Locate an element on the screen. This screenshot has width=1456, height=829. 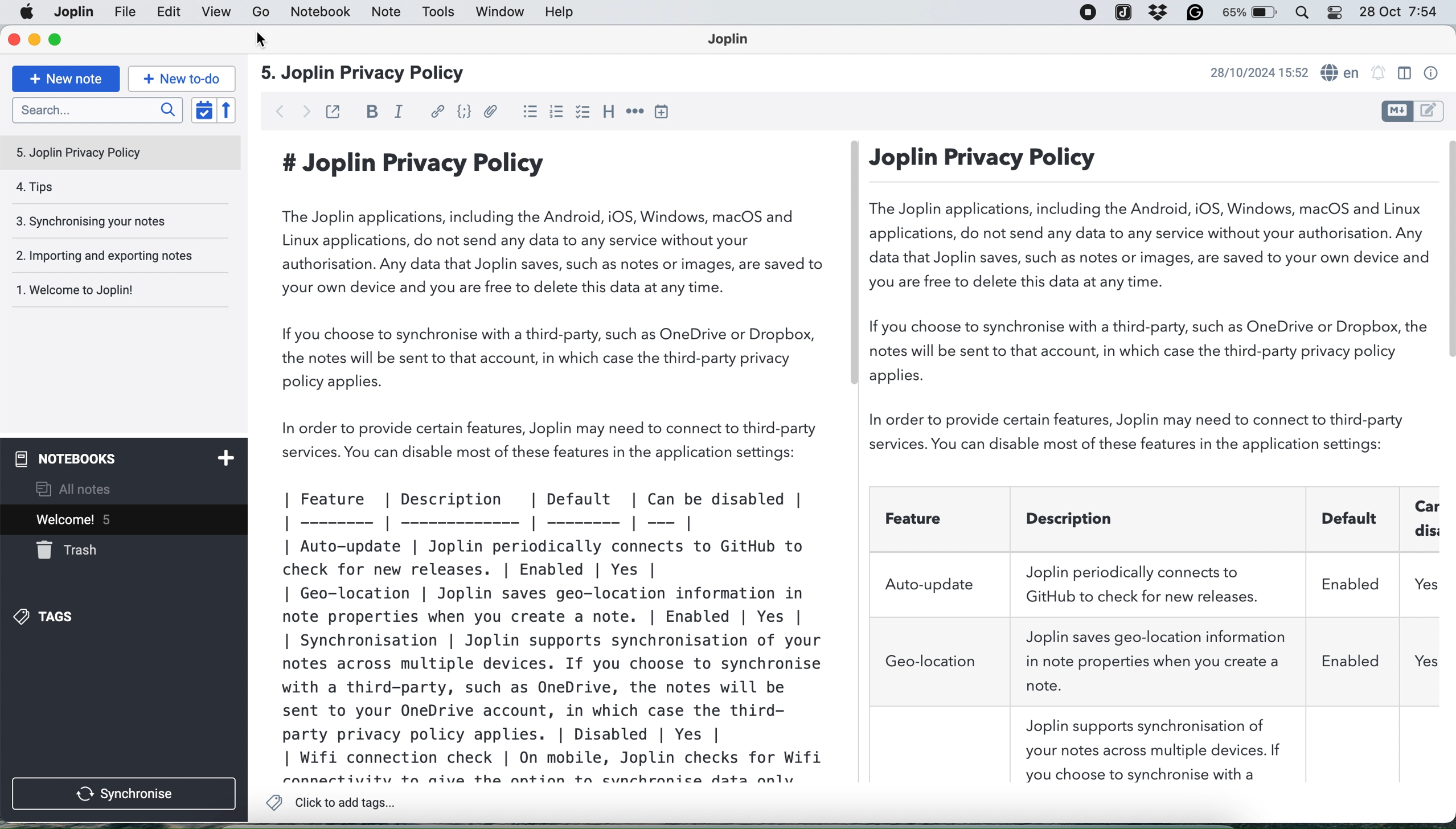
28 Oct 7:54 is located at coordinates (1398, 13).